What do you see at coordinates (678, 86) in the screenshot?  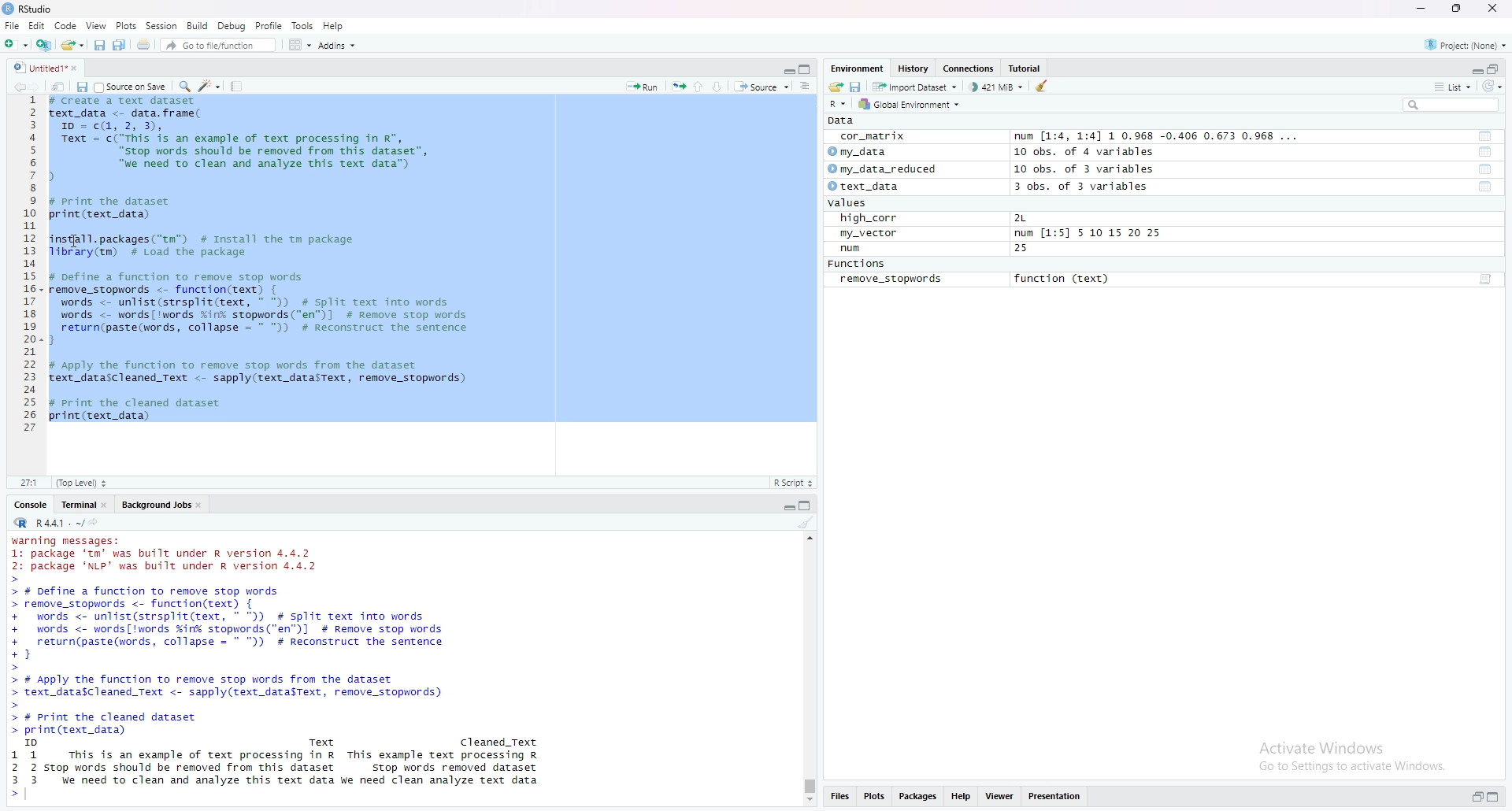 I see `rerun the previous code region` at bounding box center [678, 86].